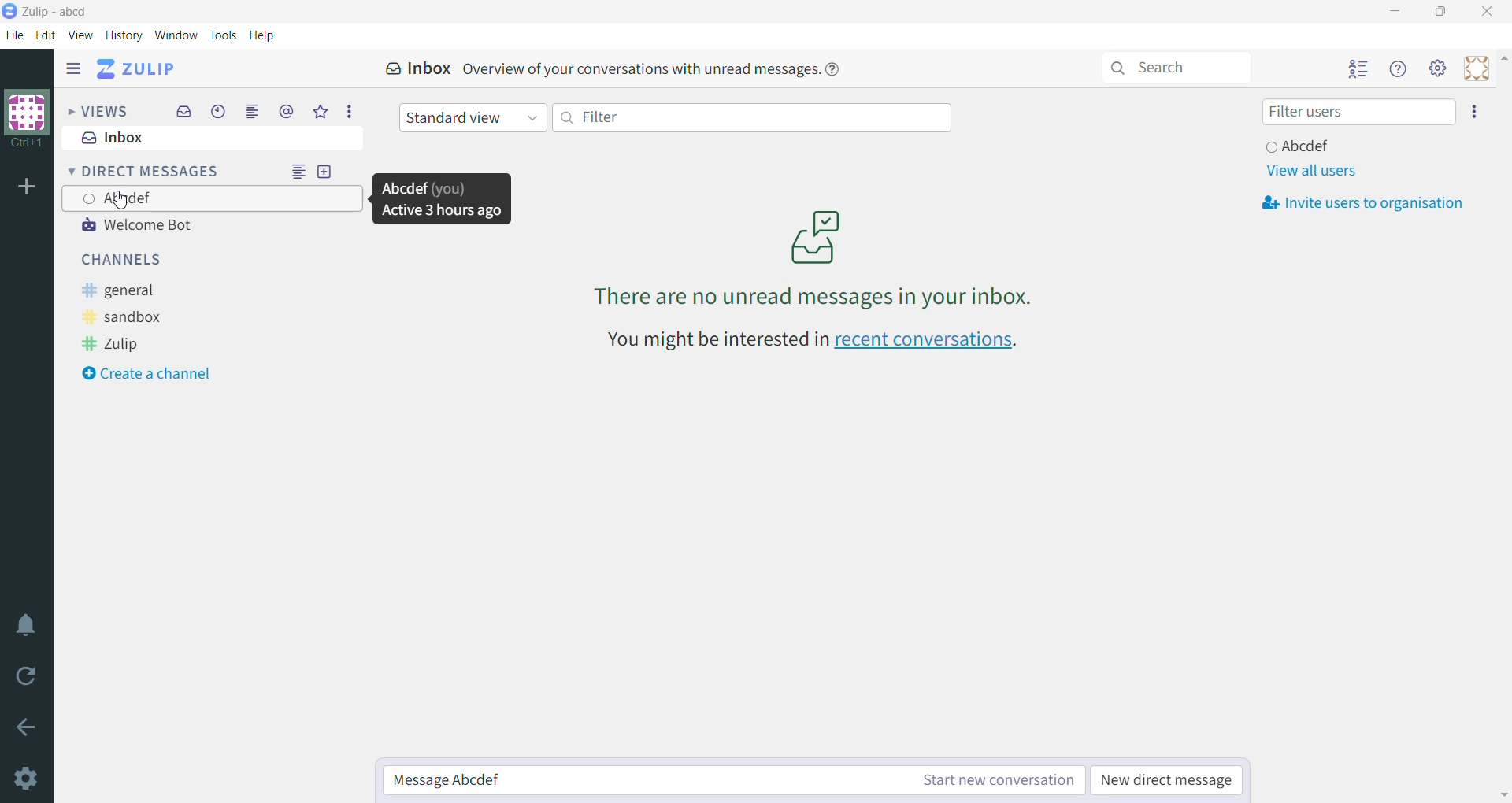 This screenshot has width=1512, height=803. Describe the element at coordinates (1176, 68) in the screenshot. I see `Search` at that location.